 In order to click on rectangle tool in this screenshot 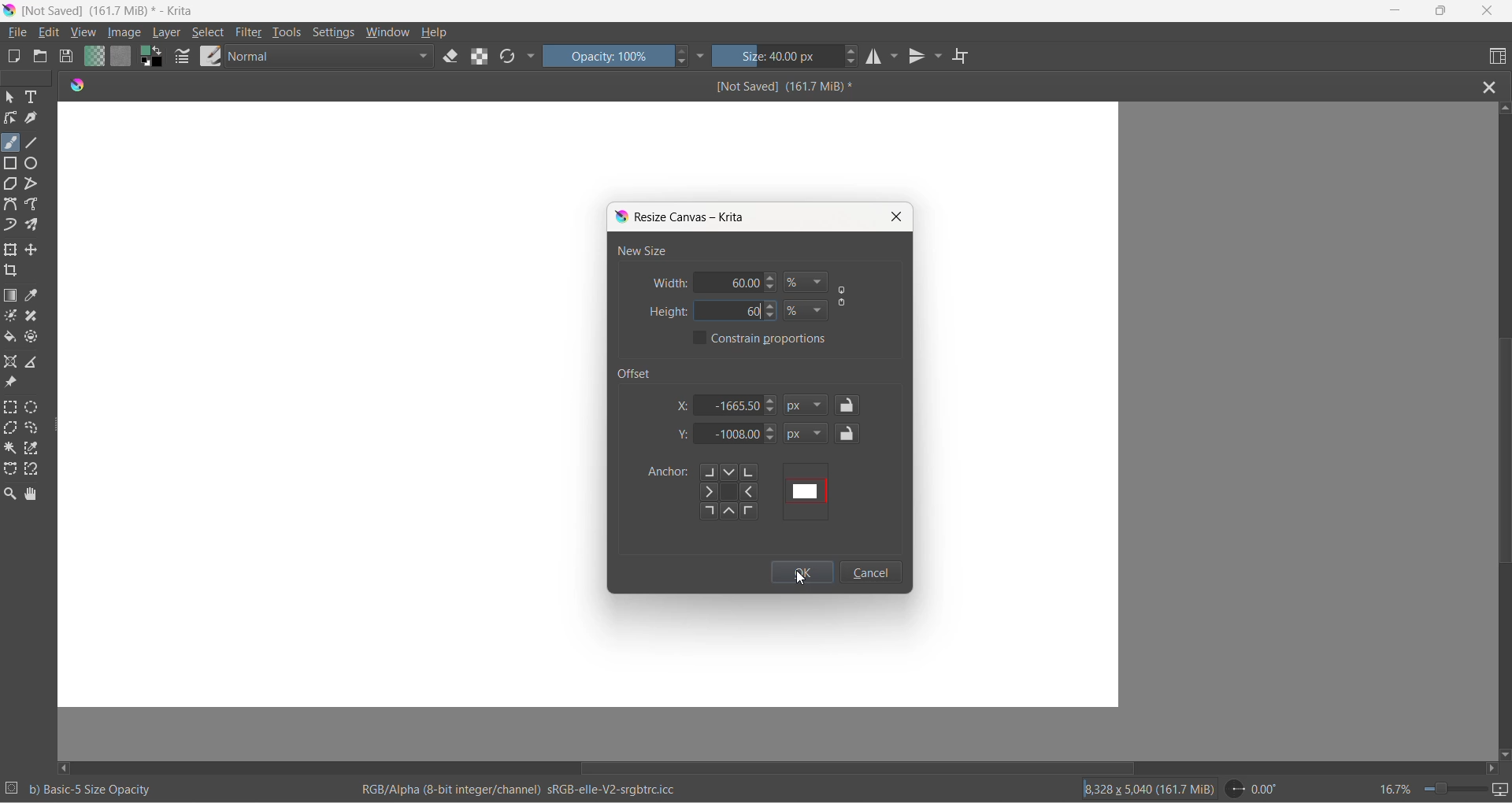, I will do `click(13, 162)`.